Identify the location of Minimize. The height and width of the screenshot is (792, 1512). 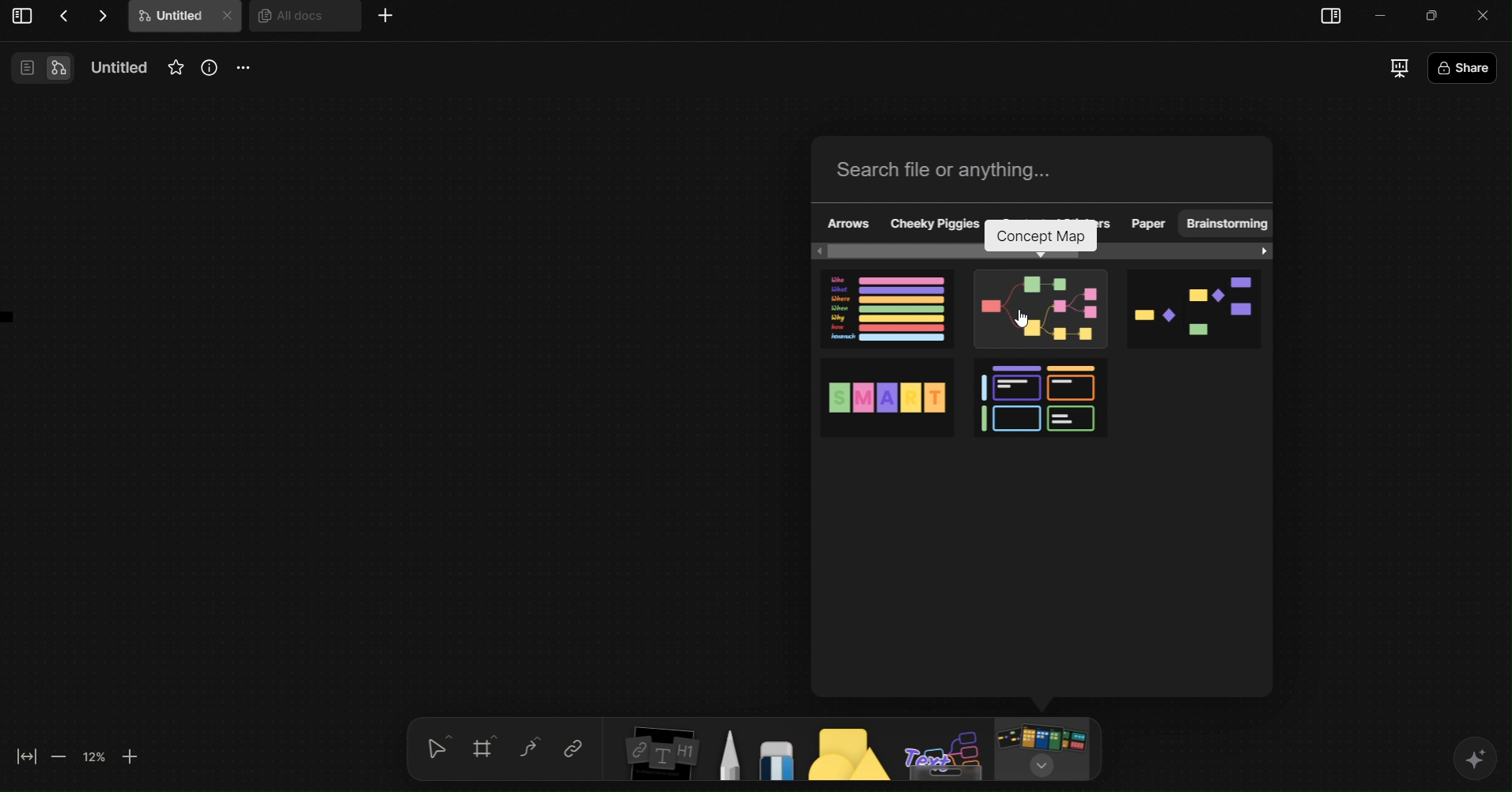
(1436, 14).